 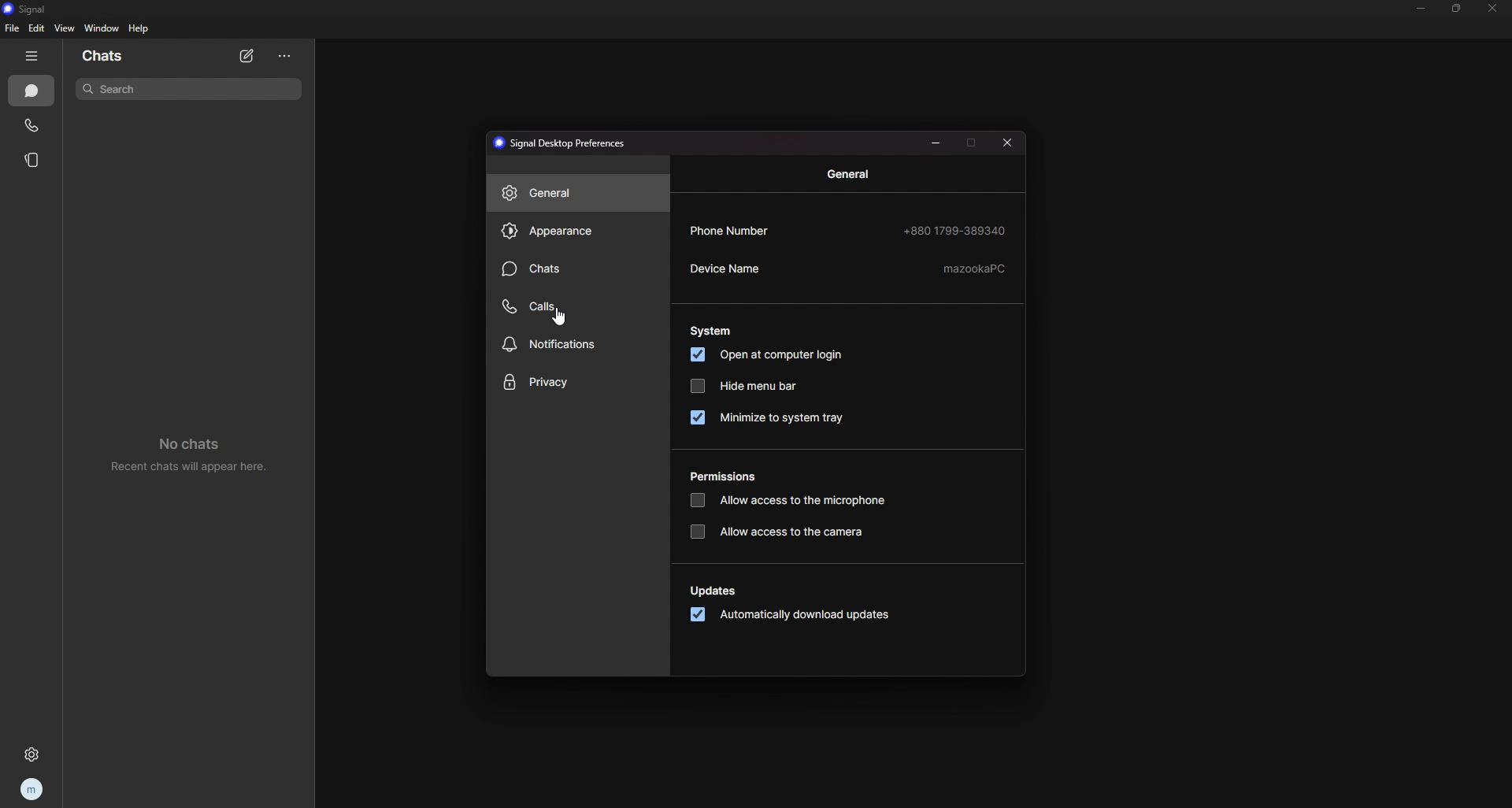 I want to click on search, so click(x=191, y=88).